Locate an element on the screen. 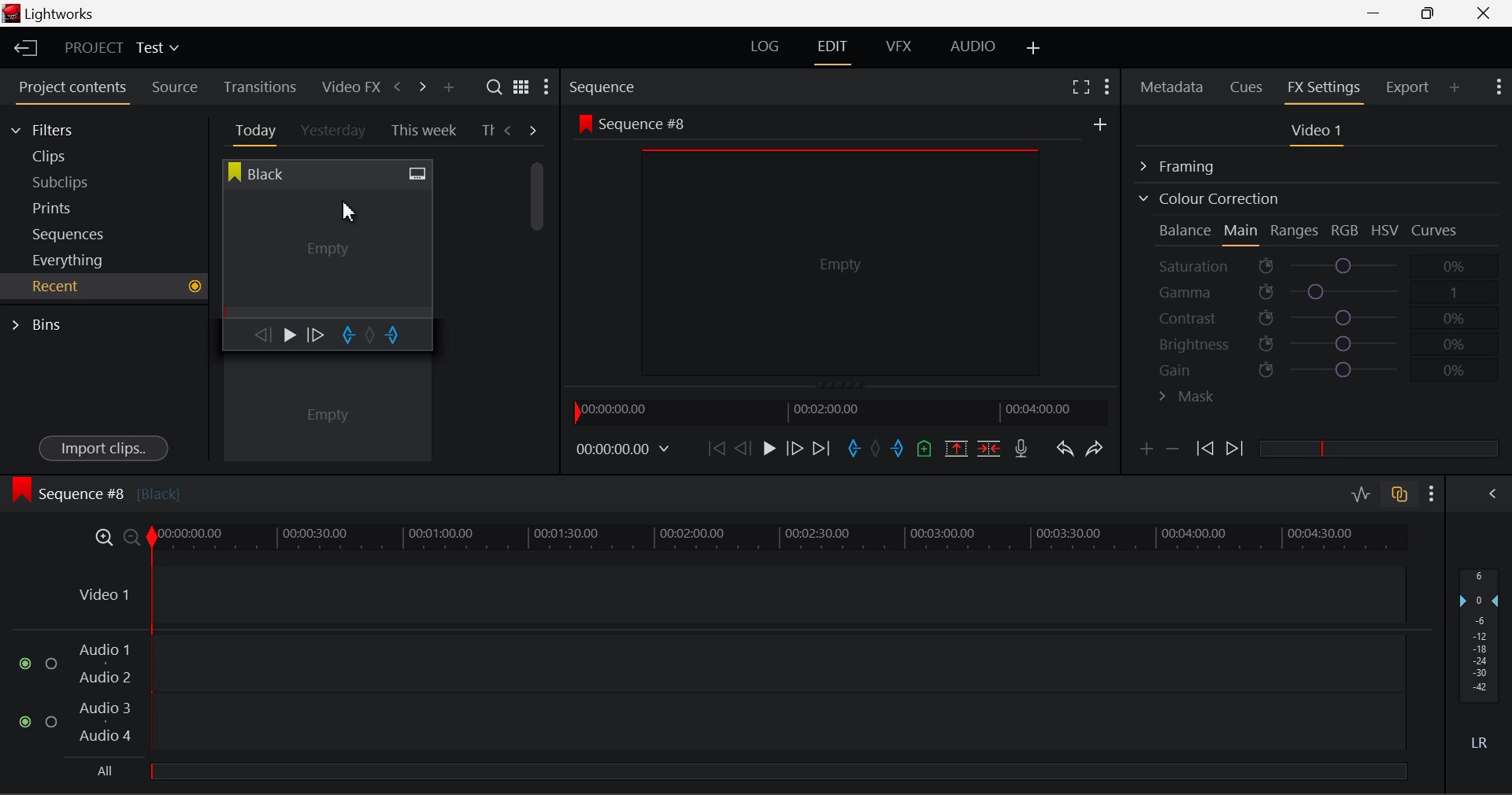 The width and height of the screenshot is (1512, 795). Metadata Panel is located at coordinates (1173, 84).